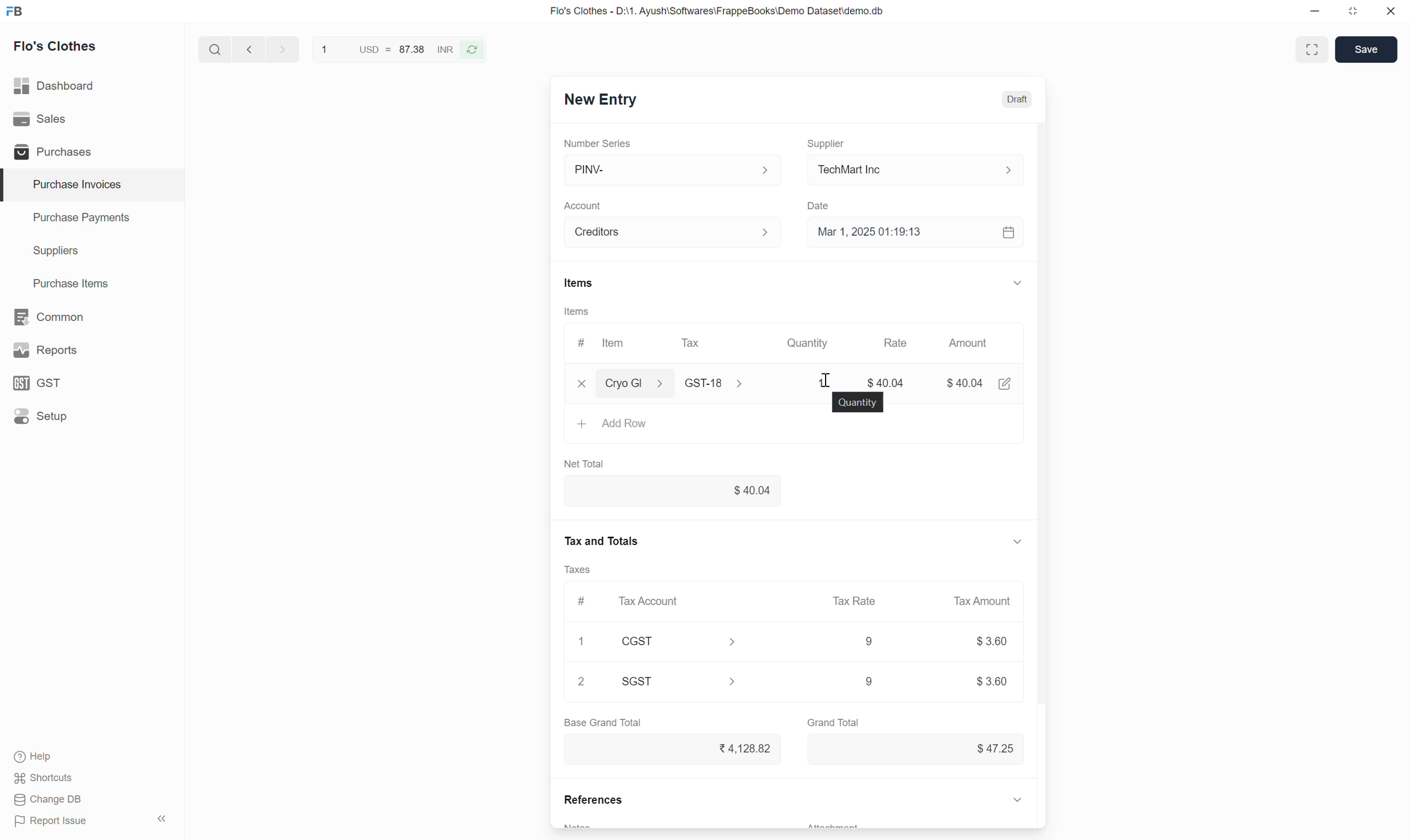 This screenshot has width=1410, height=840. What do you see at coordinates (589, 463) in the screenshot?
I see `Net Total` at bounding box center [589, 463].